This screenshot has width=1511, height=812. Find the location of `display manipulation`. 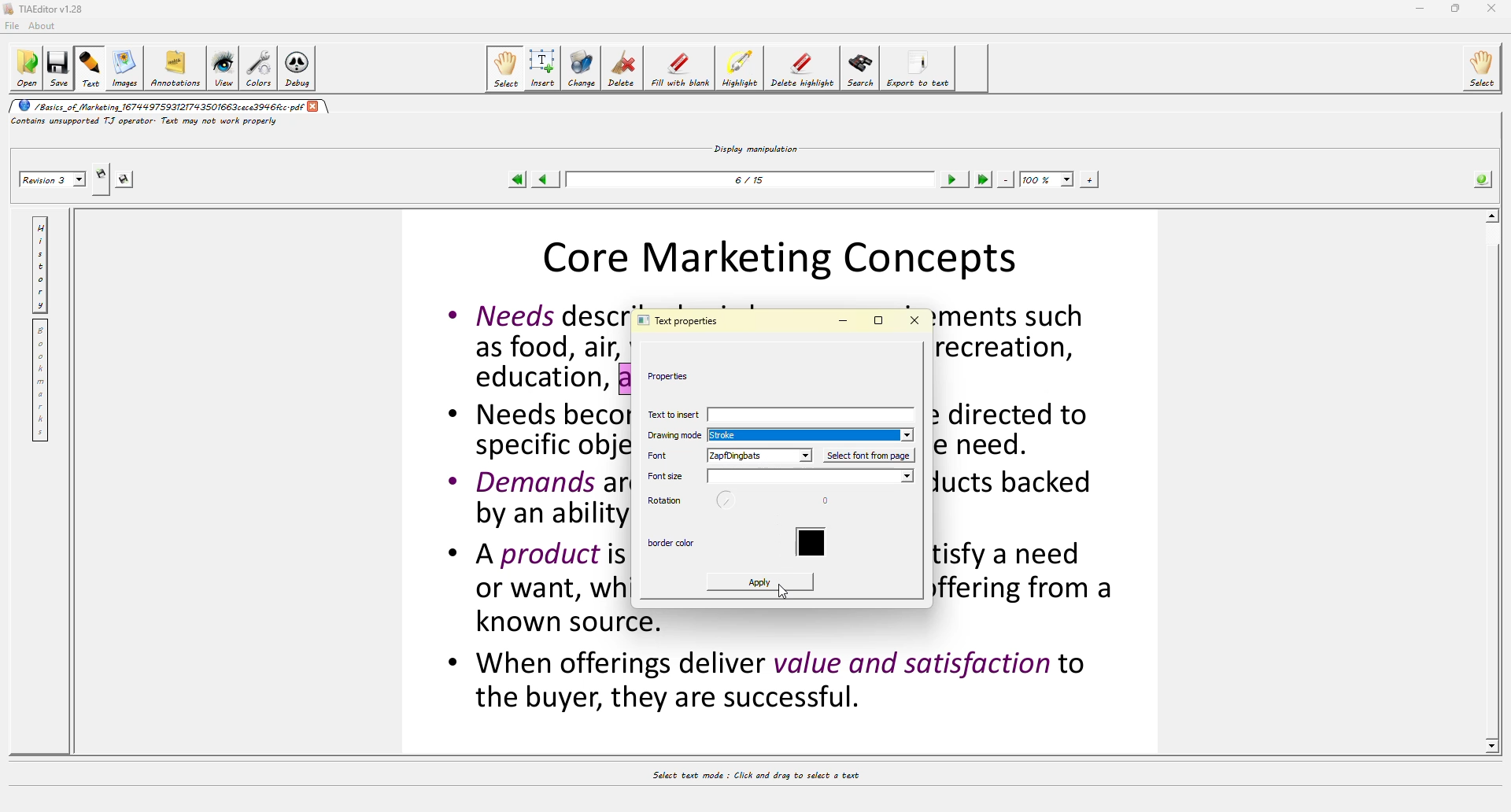

display manipulation is located at coordinates (757, 146).